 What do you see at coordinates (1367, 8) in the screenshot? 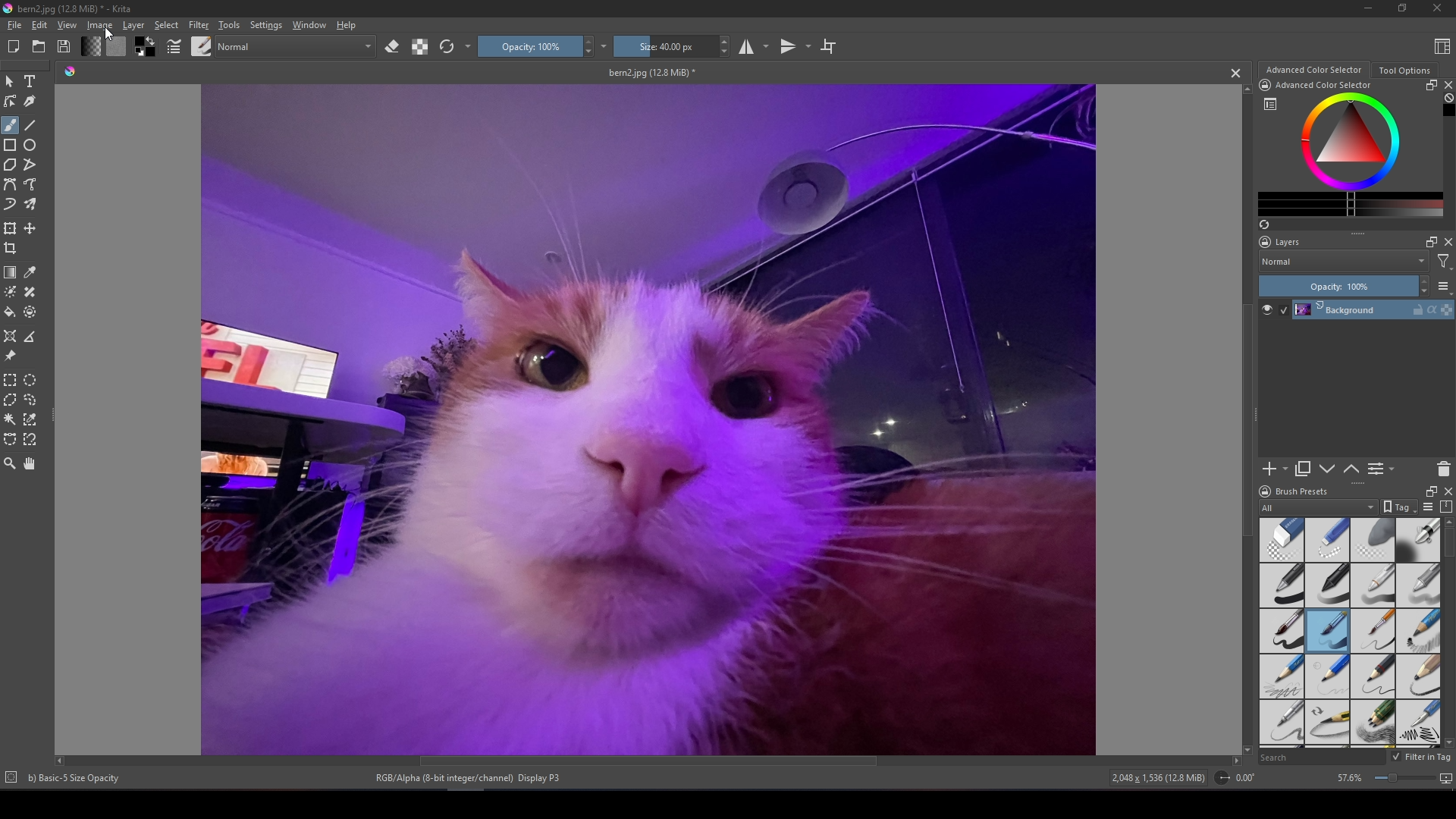
I see `Minimize` at bounding box center [1367, 8].